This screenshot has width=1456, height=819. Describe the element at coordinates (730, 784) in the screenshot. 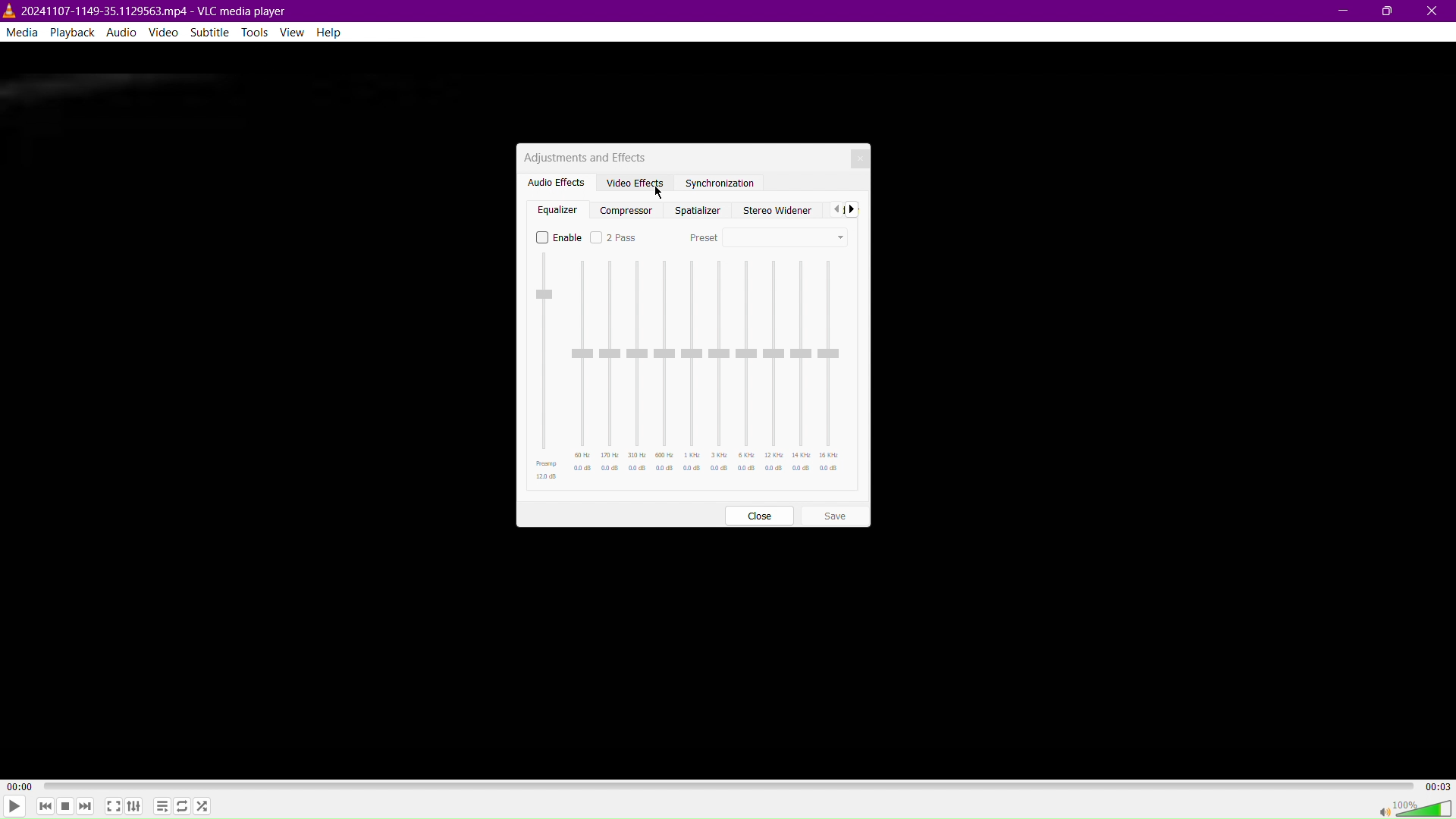

I see `TImeline` at that location.